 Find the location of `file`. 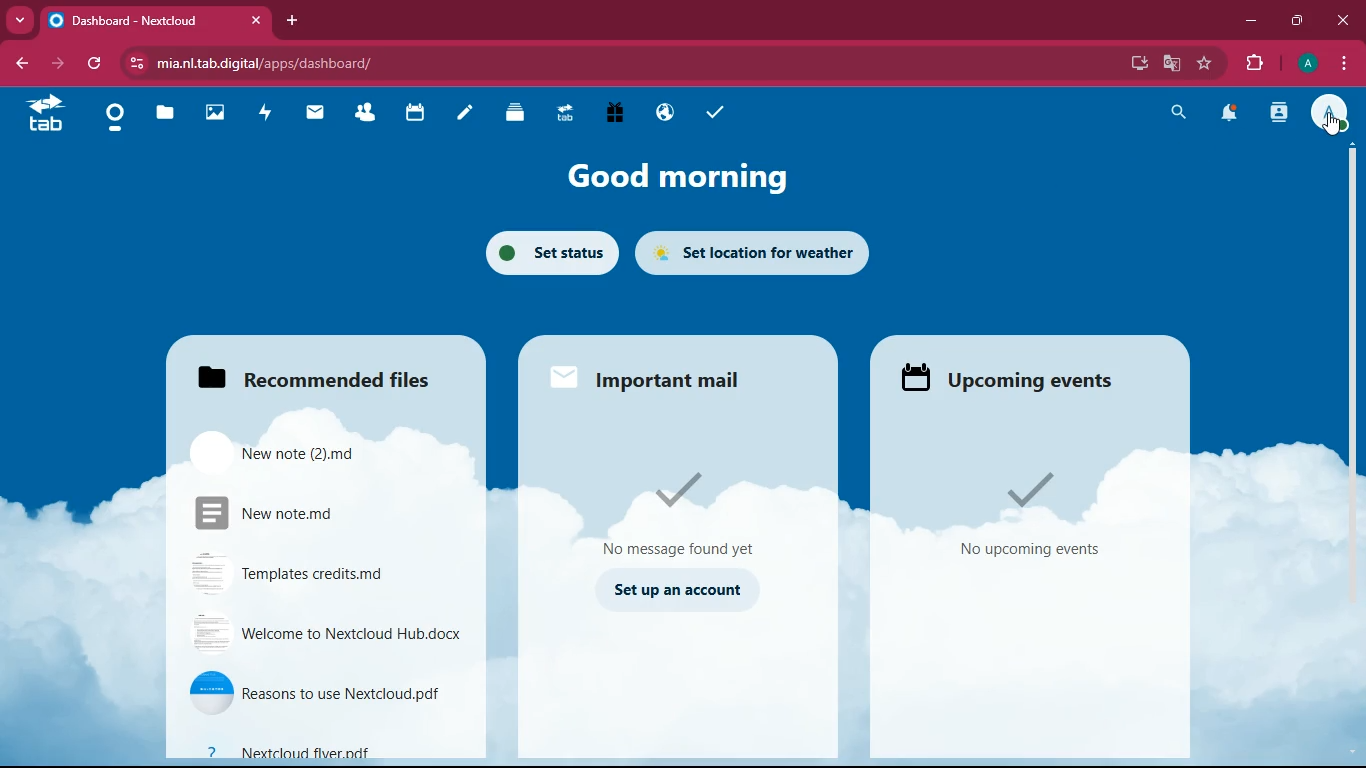

file is located at coordinates (301, 511).